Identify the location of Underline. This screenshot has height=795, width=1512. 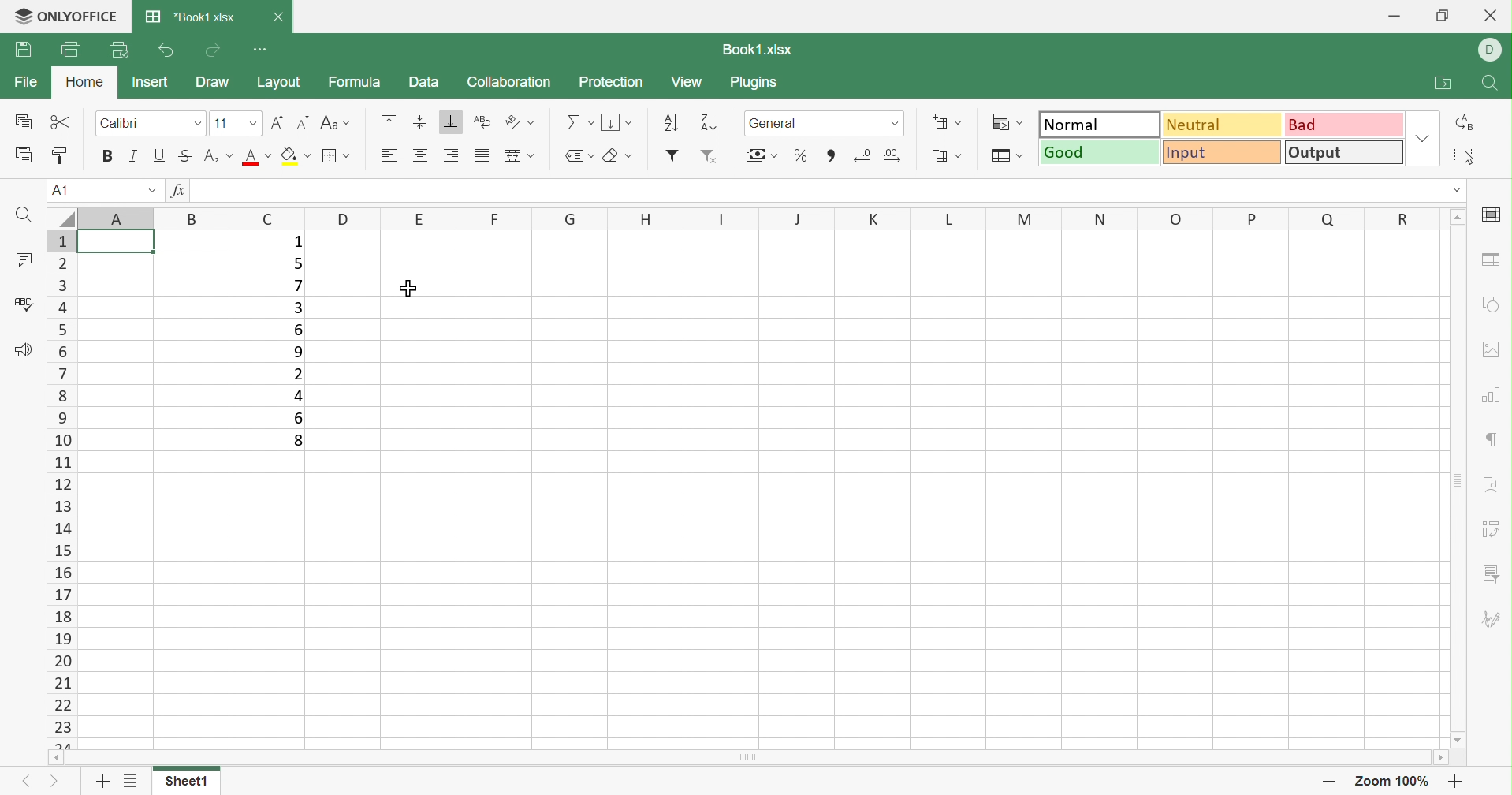
(161, 155).